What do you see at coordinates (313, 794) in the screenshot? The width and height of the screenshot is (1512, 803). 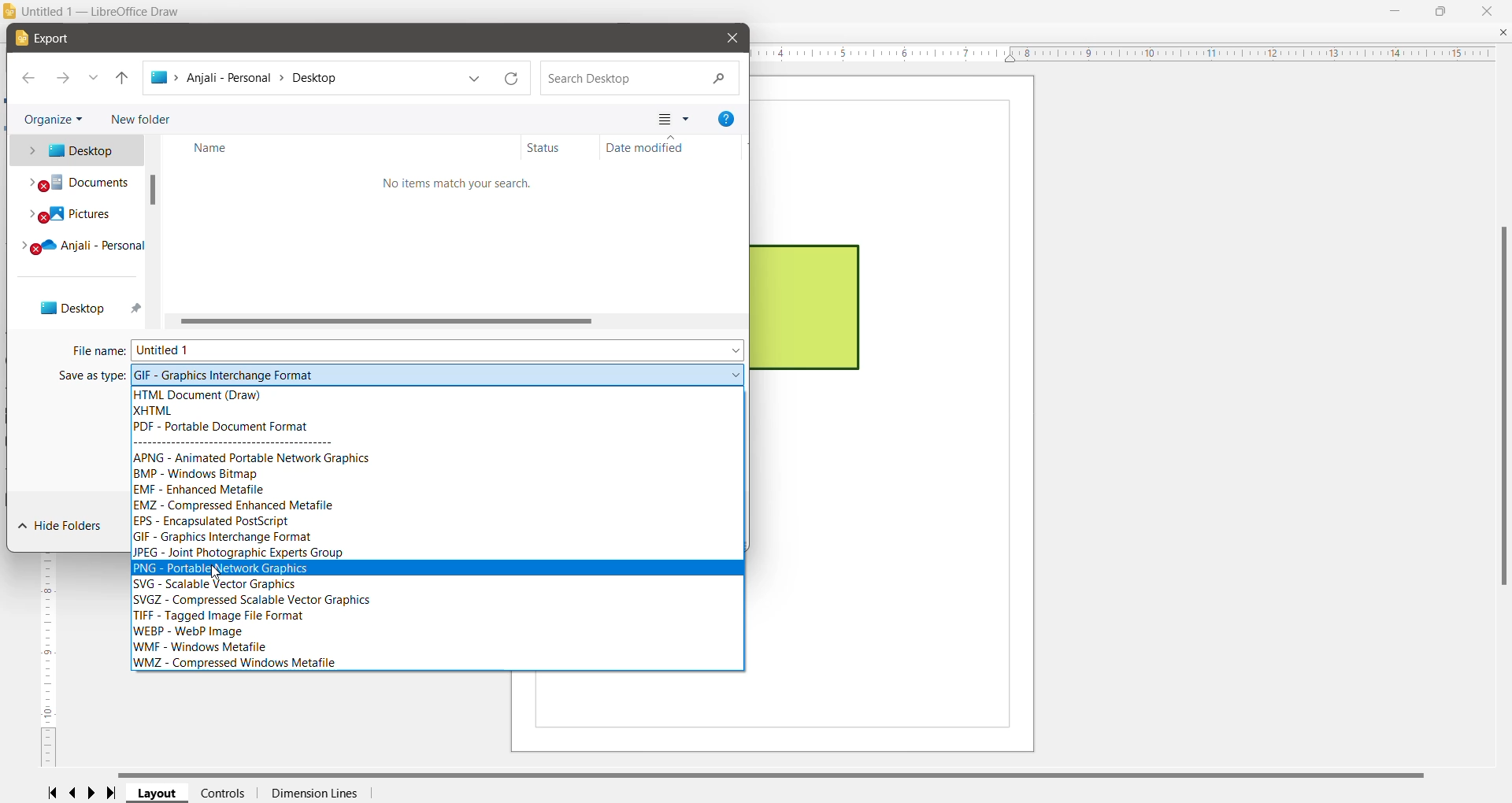 I see `Dimension Lines` at bounding box center [313, 794].